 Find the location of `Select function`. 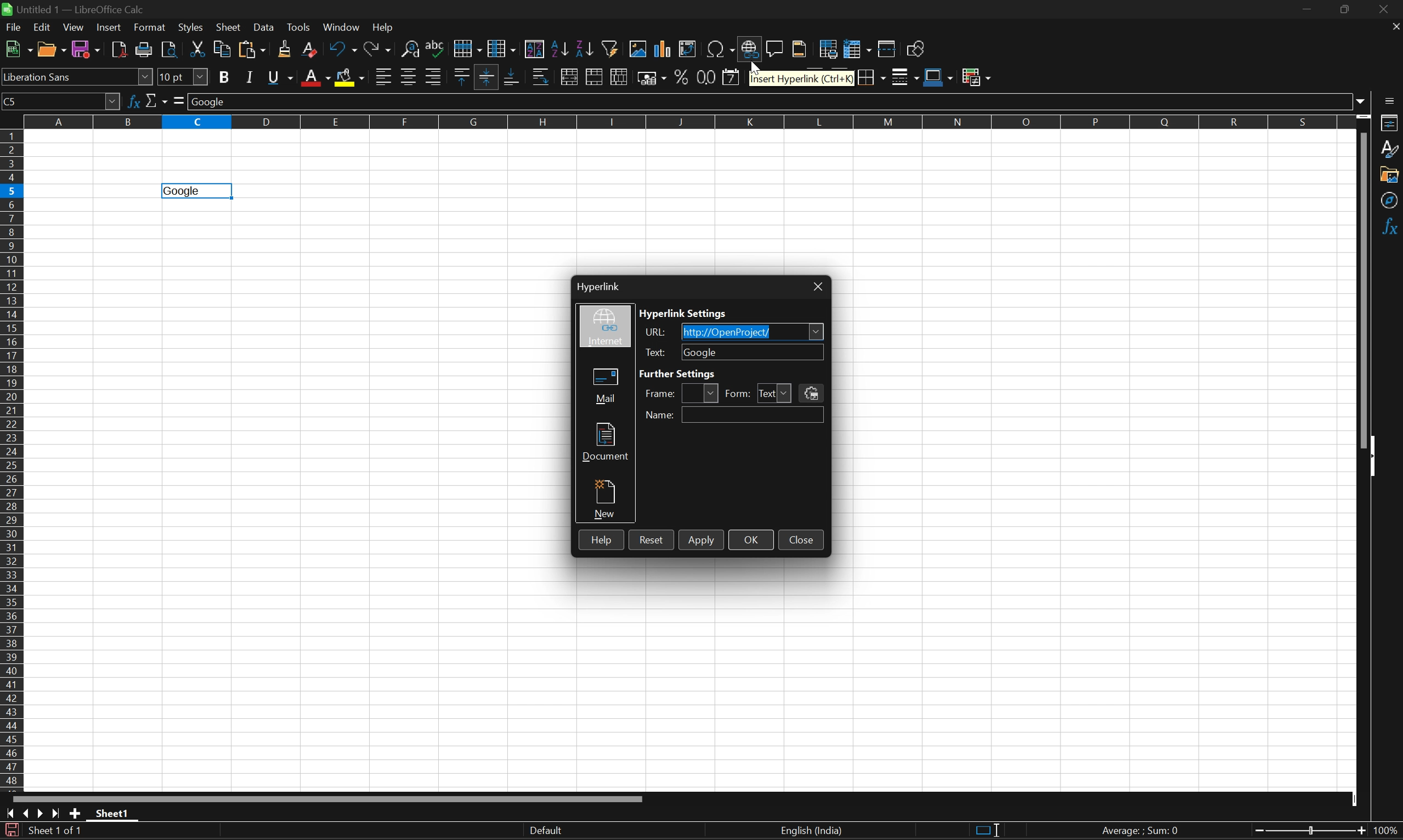

Select function is located at coordinates (156, 100).